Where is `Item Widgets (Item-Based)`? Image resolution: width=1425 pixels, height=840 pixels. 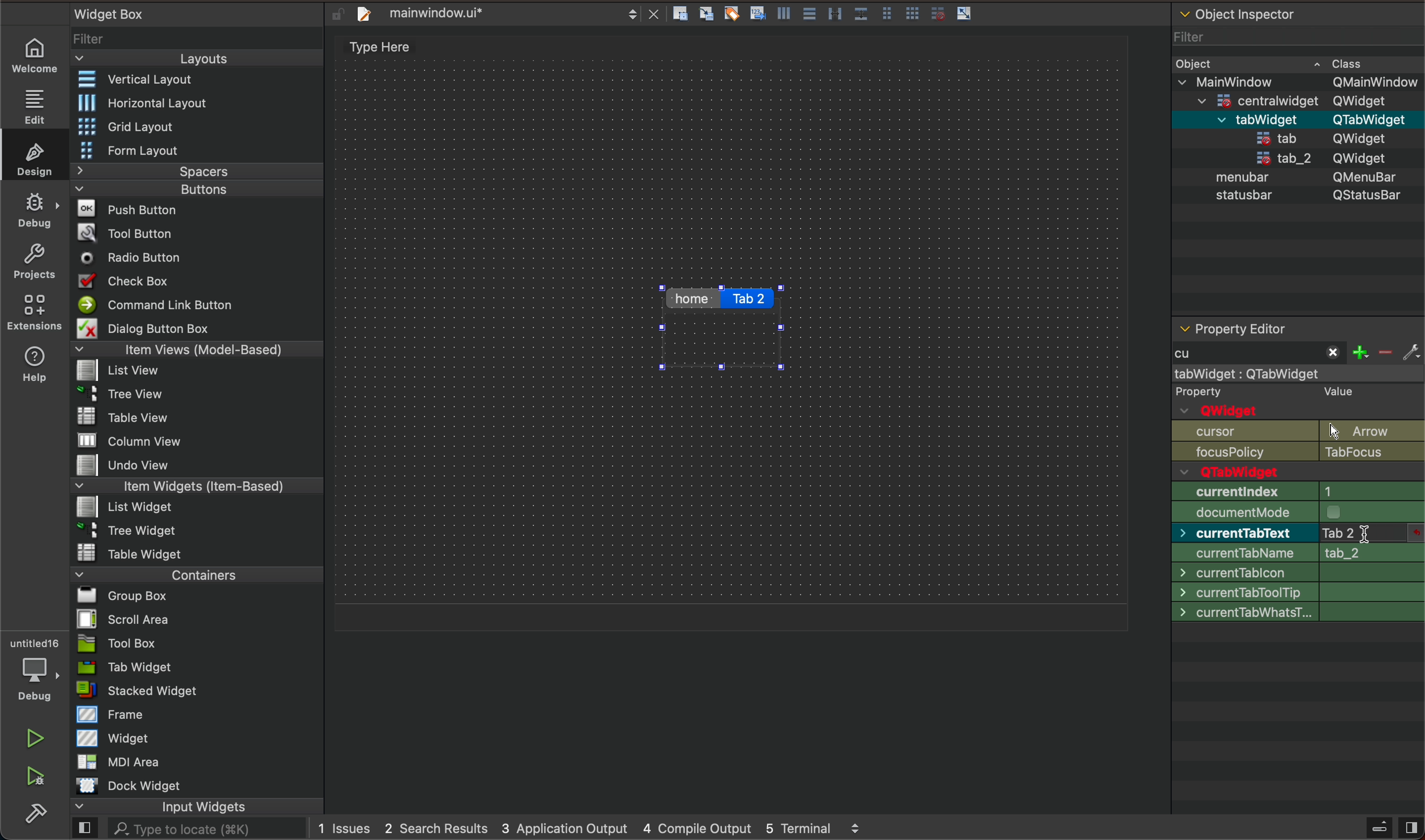 Item Widgets (Item-Based) is located at coordinates (198, 486).